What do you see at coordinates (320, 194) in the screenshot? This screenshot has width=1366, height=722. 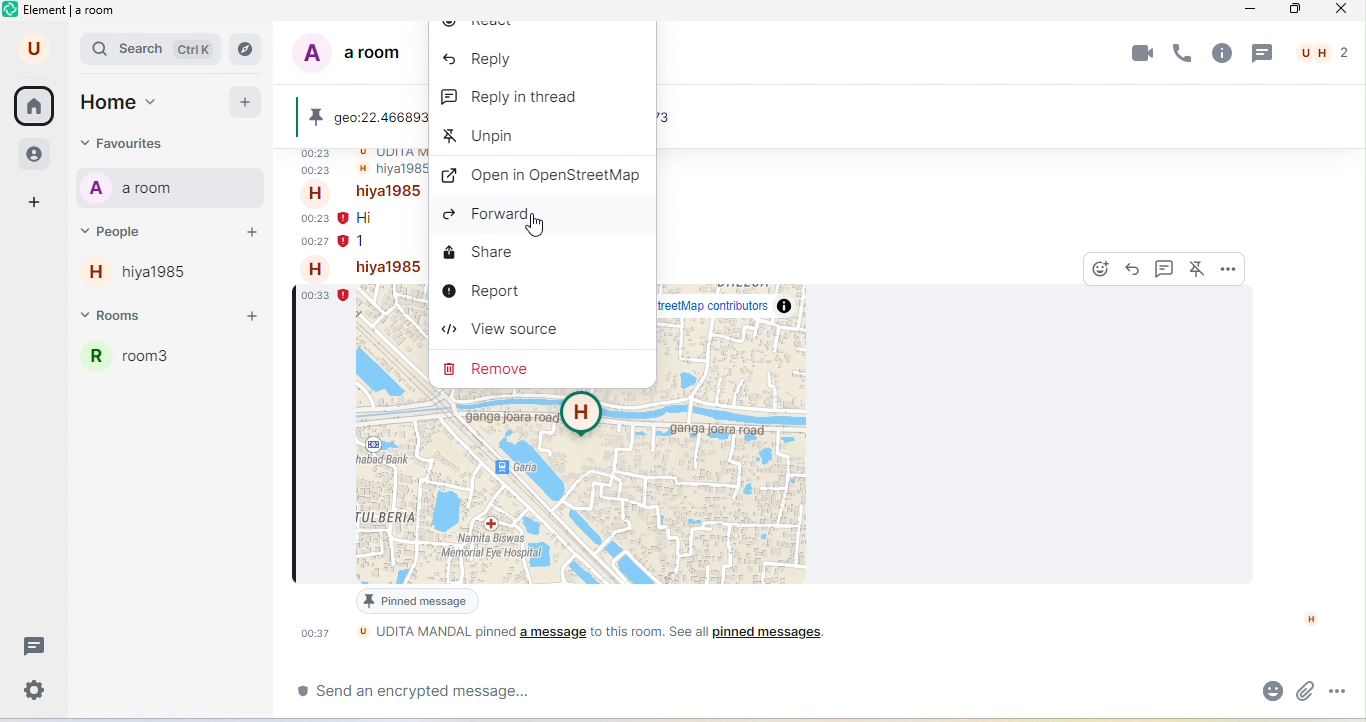 I see `h` at bounding box center [320, 194].